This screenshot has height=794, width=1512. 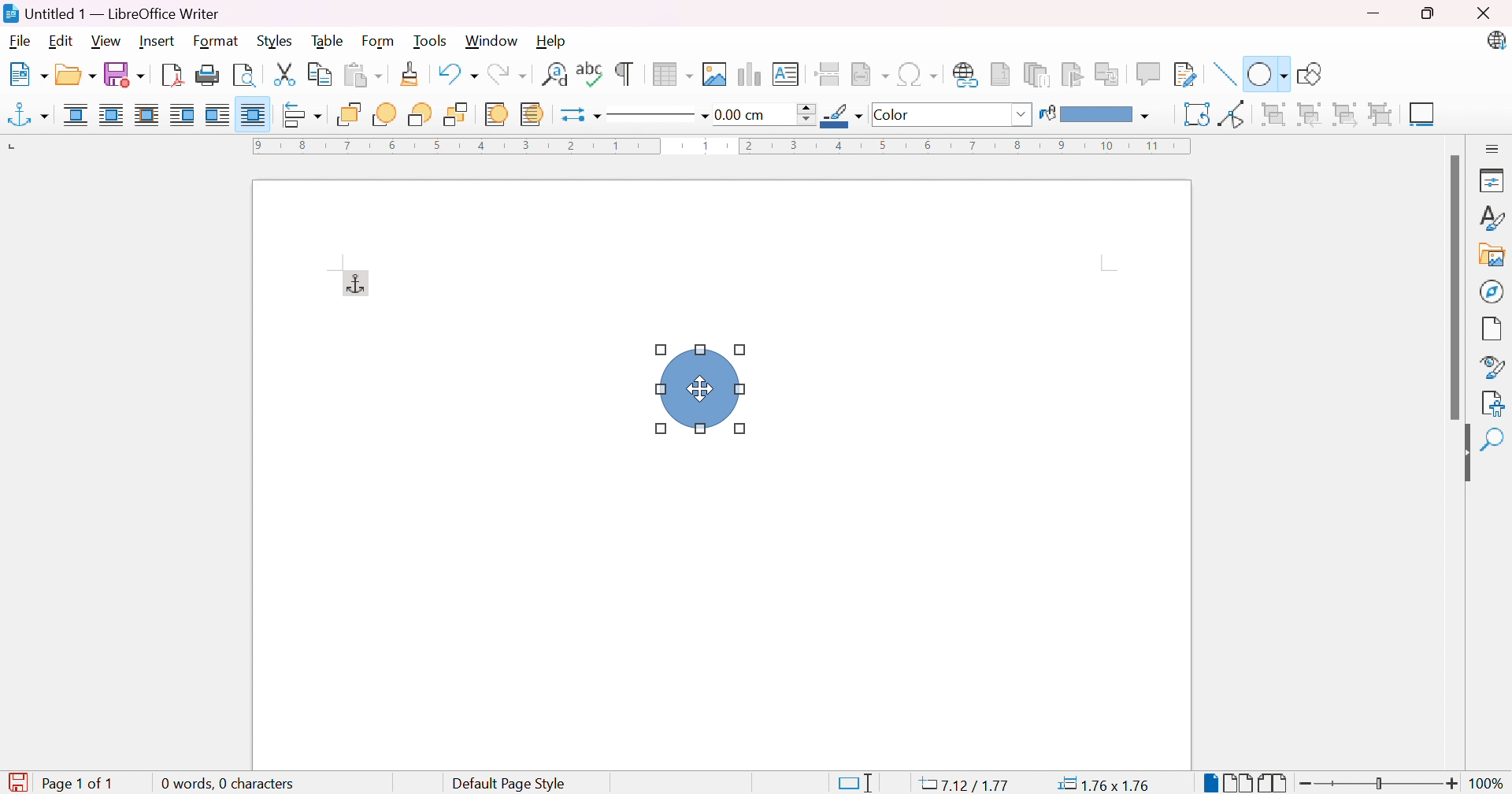 I want to click on Close, so click(x=1481, y=13).